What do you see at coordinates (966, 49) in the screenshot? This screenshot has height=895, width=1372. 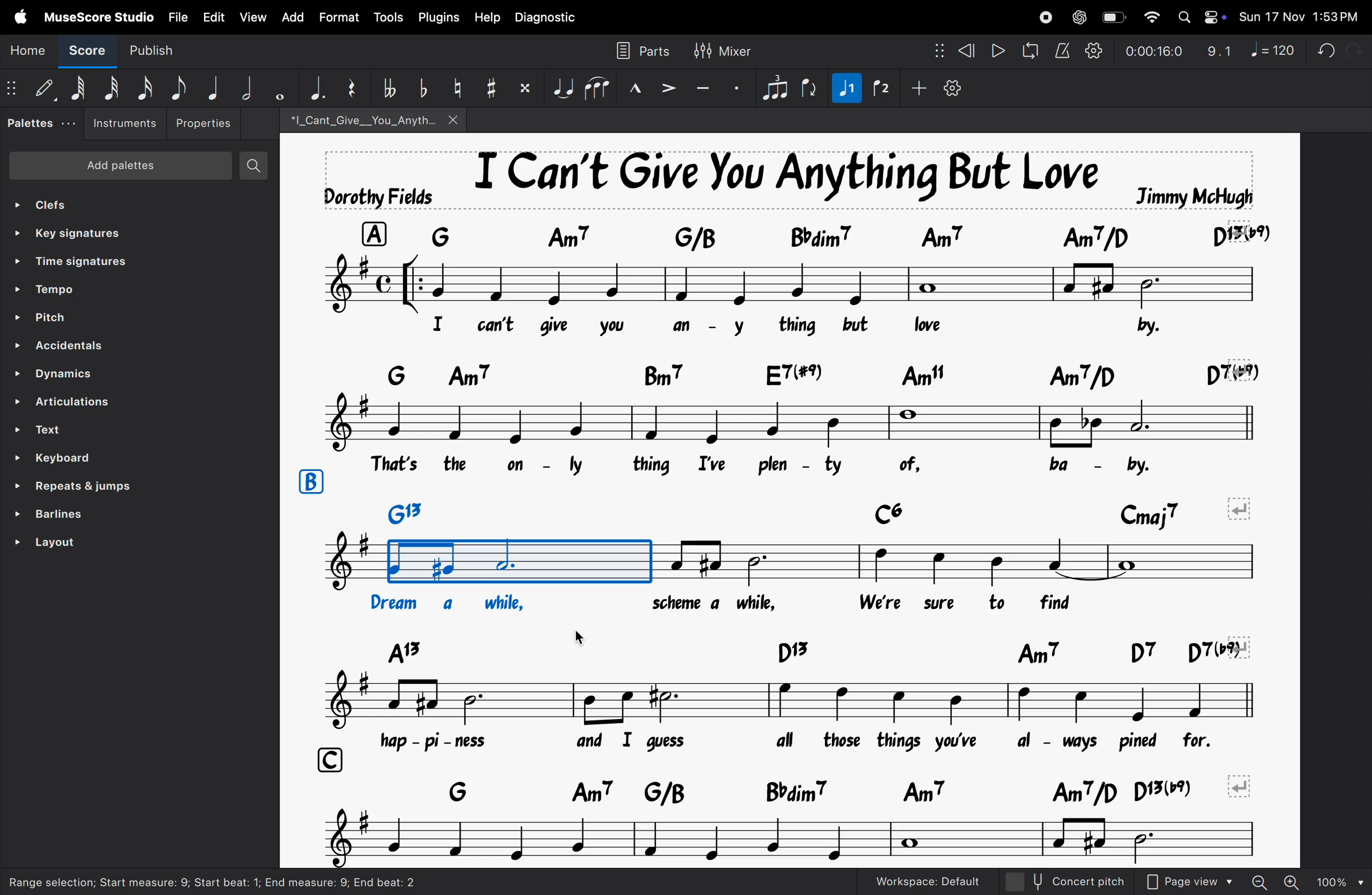 I see `rewind` at bounding box center [966, 49].